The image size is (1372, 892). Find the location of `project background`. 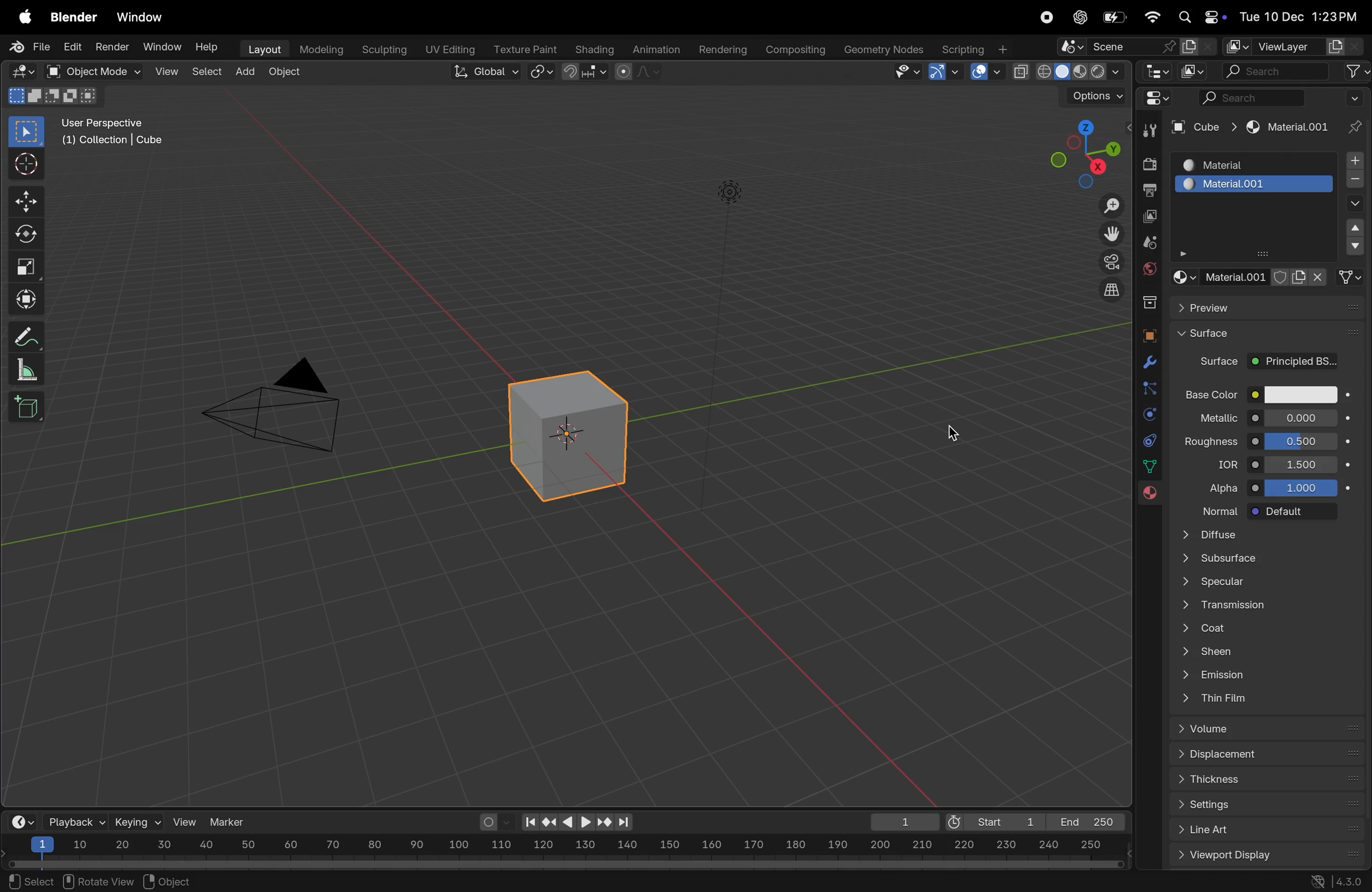

project background is located at coordinates (1294, 362).